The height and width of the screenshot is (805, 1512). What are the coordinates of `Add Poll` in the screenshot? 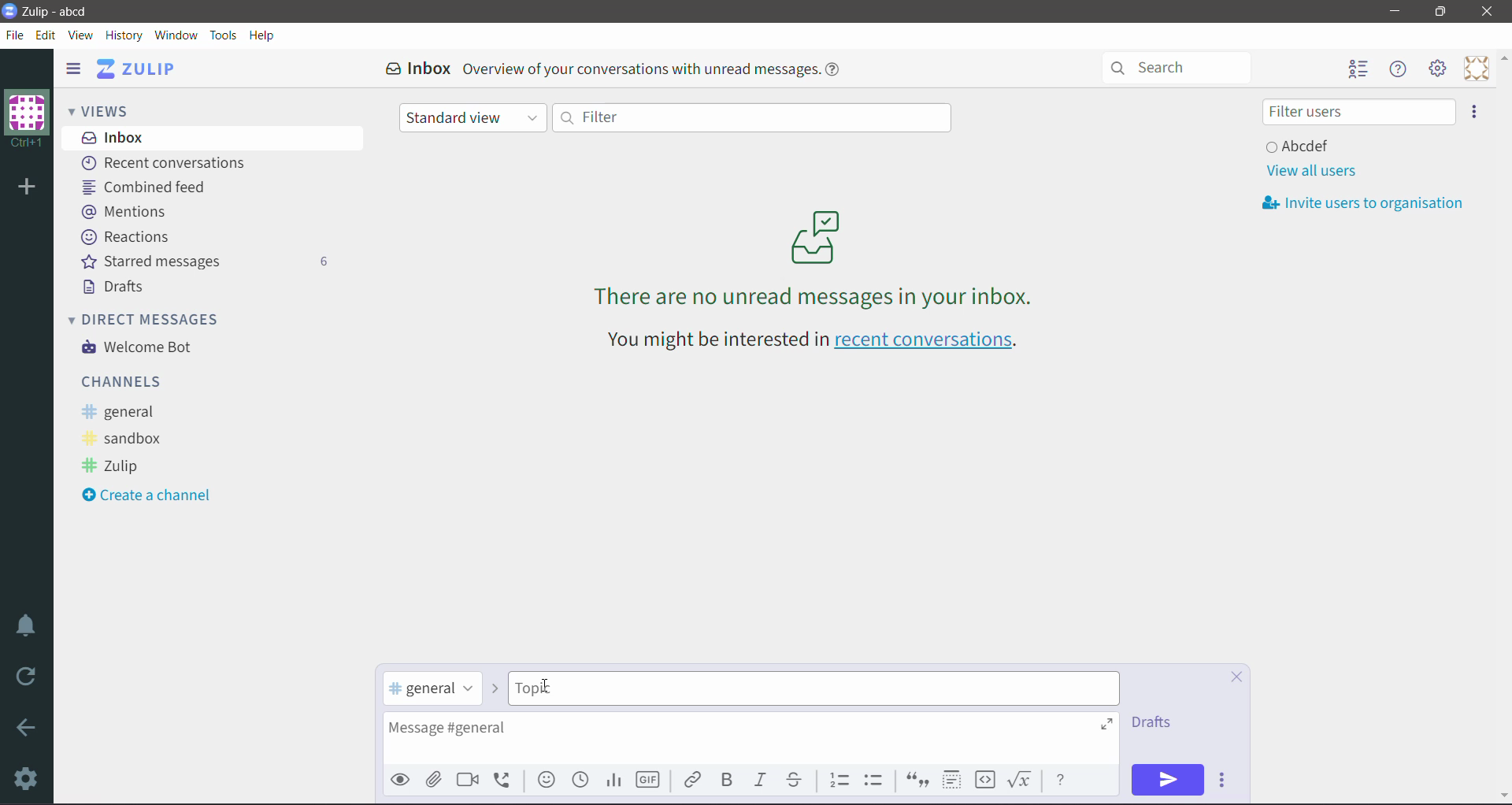 It's located at (613, 780).